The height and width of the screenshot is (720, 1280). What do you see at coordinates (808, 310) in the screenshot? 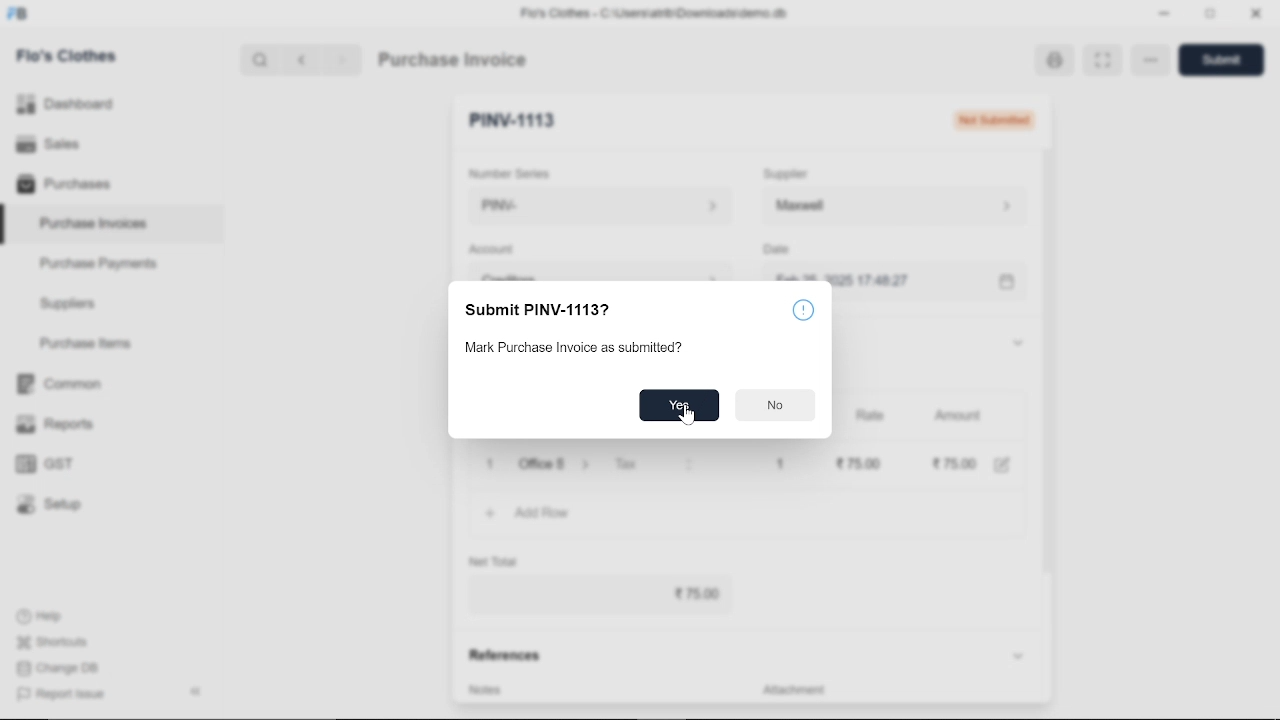
I see `info` at bounding box center [808, 310].